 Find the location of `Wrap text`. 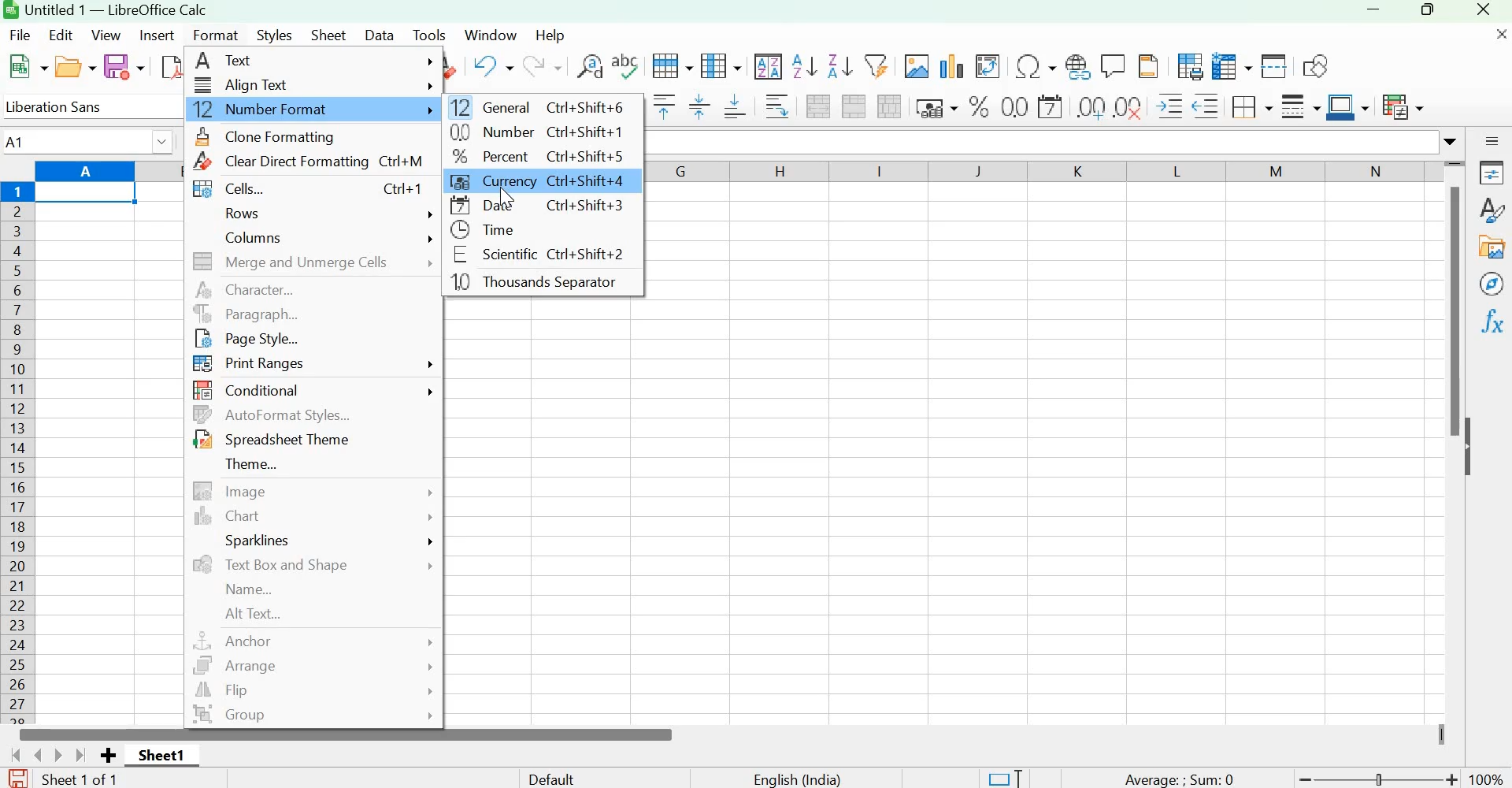

Wrap text is located at coordinates (776, 107).